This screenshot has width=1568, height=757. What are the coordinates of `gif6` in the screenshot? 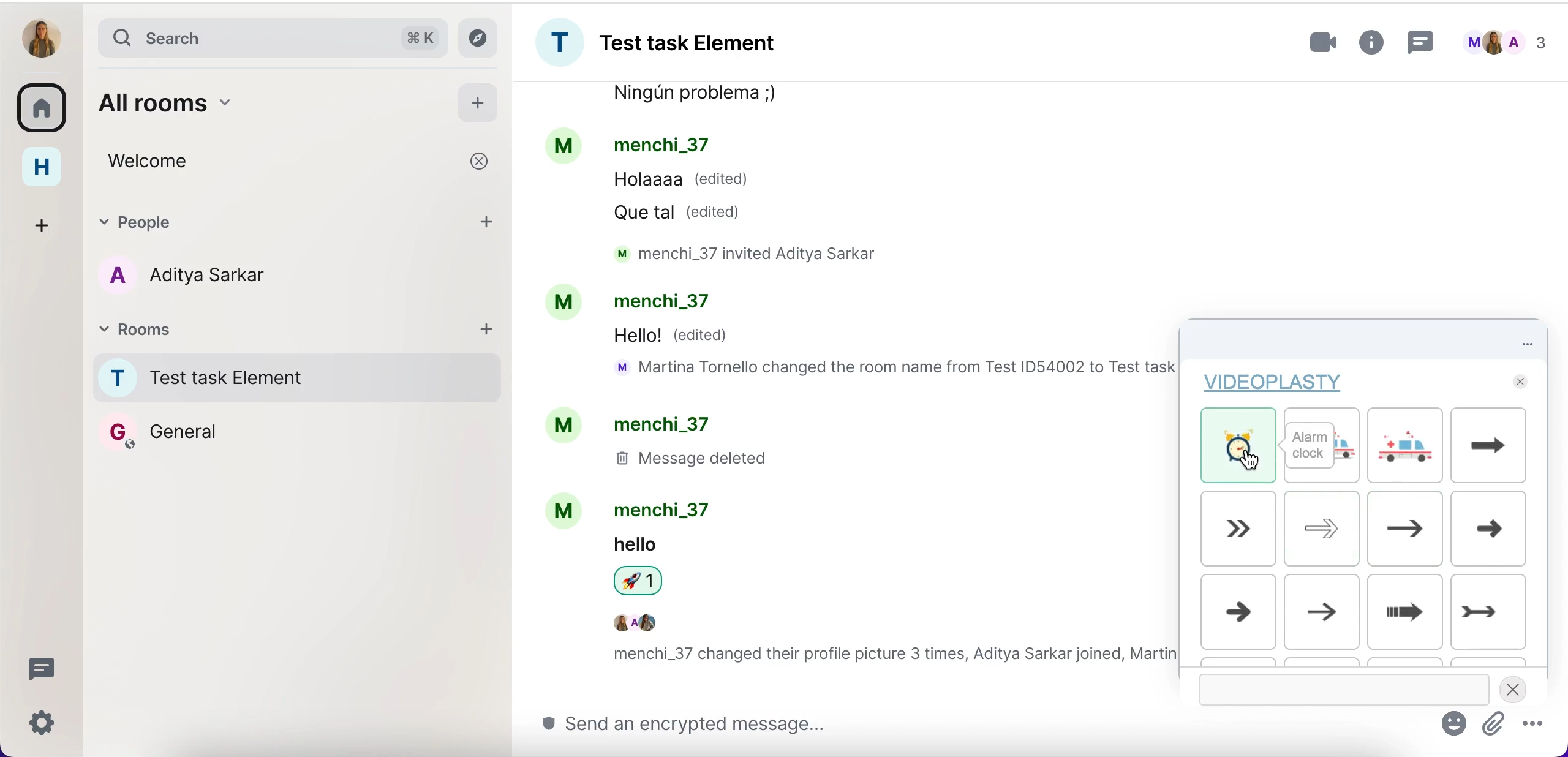 It's located at (1322, 529).